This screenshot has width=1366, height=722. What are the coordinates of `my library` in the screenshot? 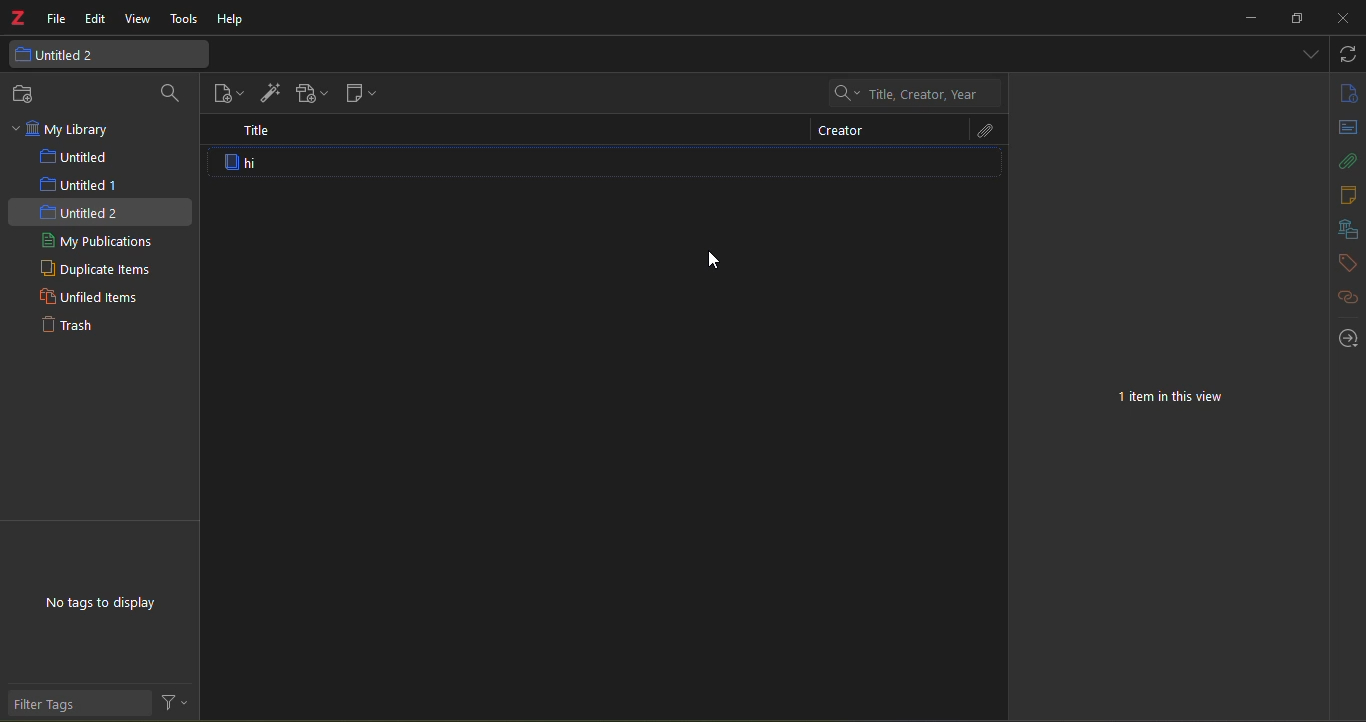 It's located at (72, 127).